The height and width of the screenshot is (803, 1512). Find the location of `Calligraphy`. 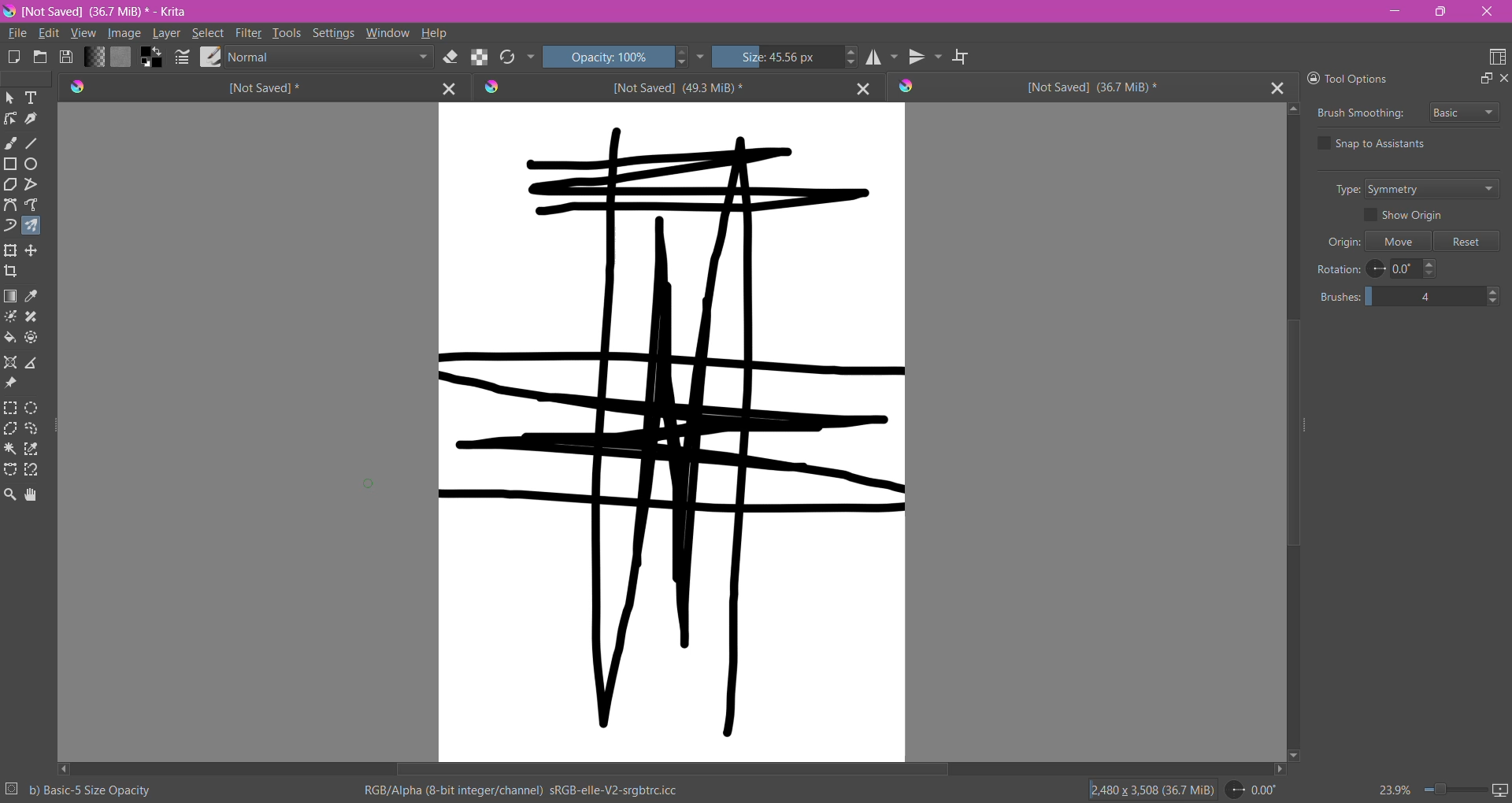

Calligraphy is located at coordinates (34, 118).